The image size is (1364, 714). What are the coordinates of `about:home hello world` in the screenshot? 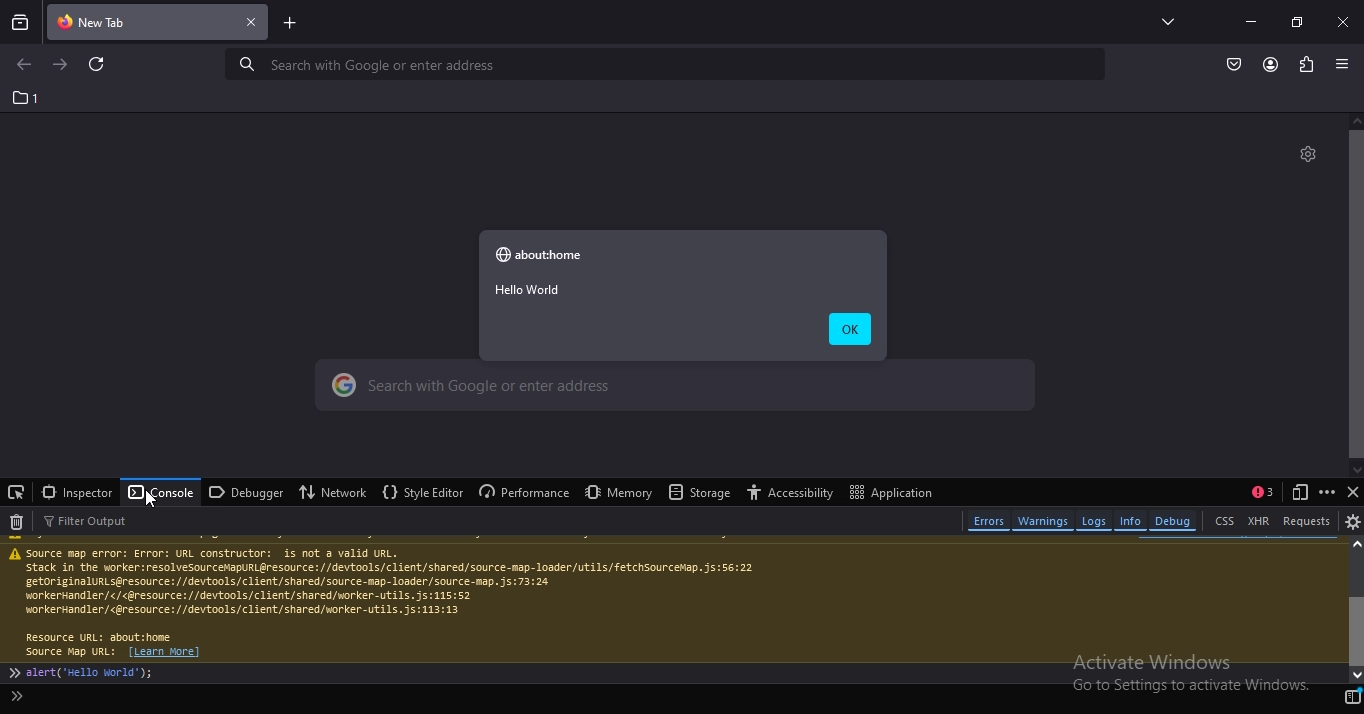 It's located at (543, 276).